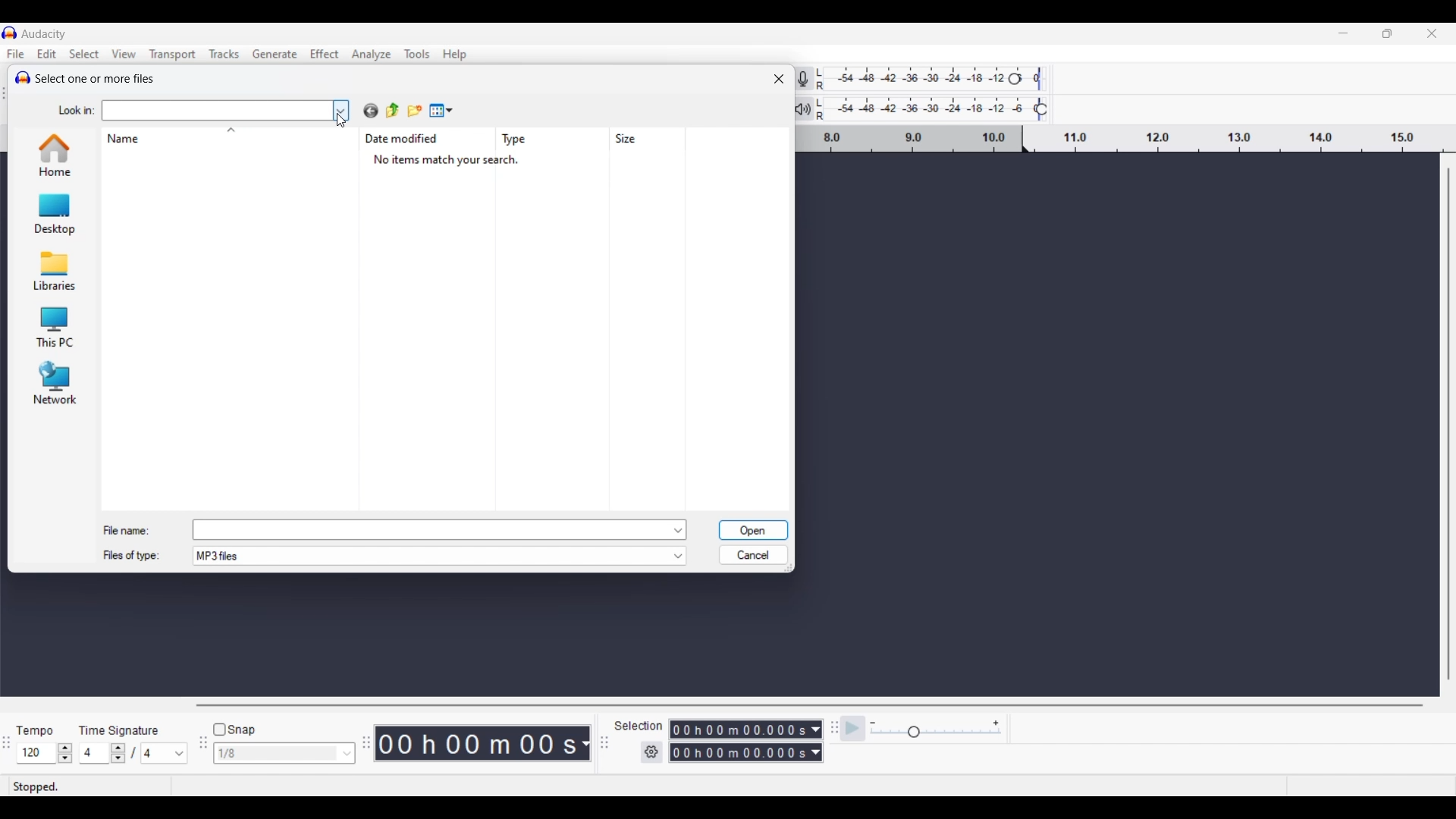 The image size is (1456, 819). What do you see at coordinates (1432, 33) in the screenshot?
I see `Close interface` at bounding box center [1432, 33].